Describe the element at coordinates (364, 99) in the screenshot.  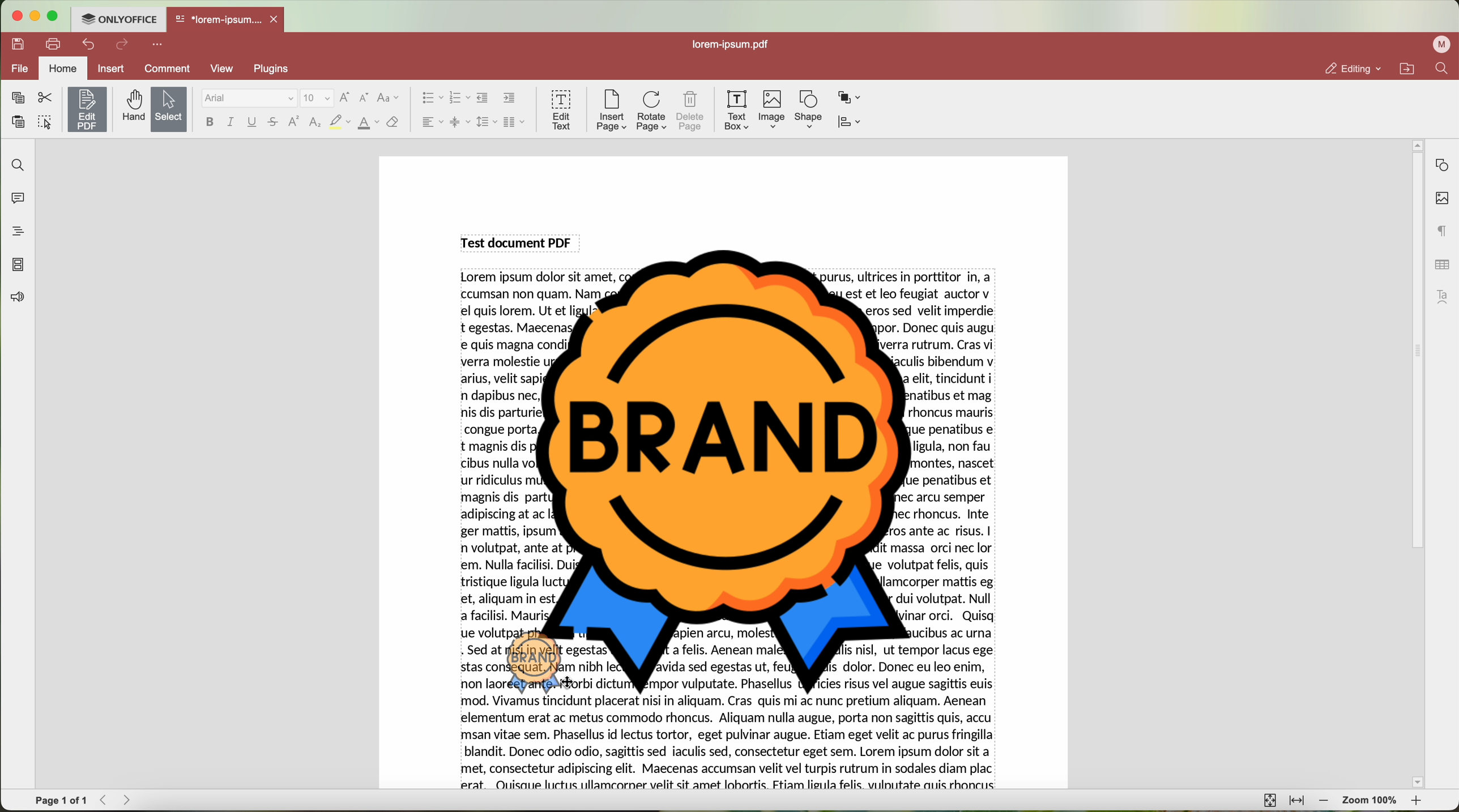
I see `decrement font size` at that location.